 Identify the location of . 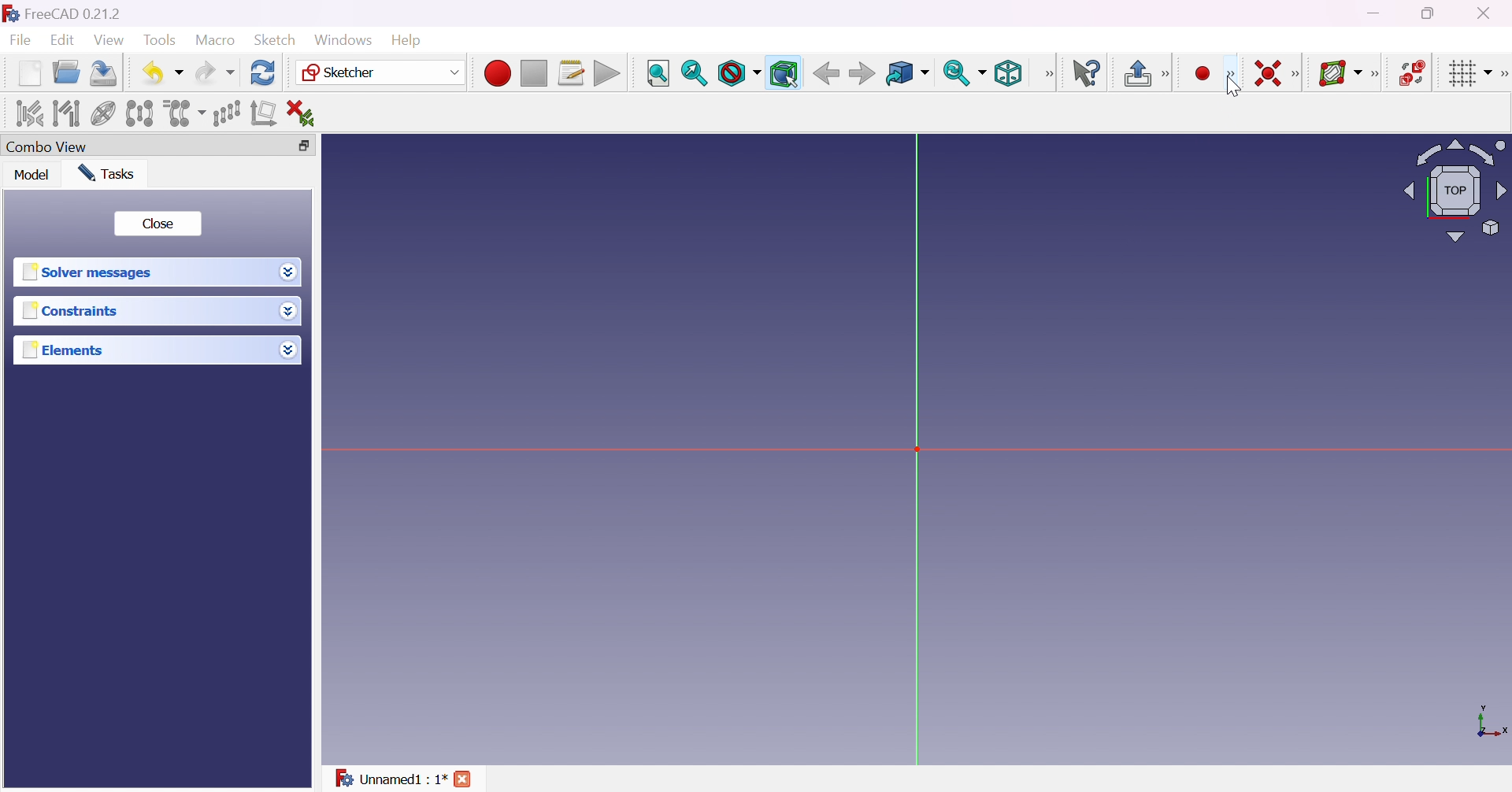
(965, 74).